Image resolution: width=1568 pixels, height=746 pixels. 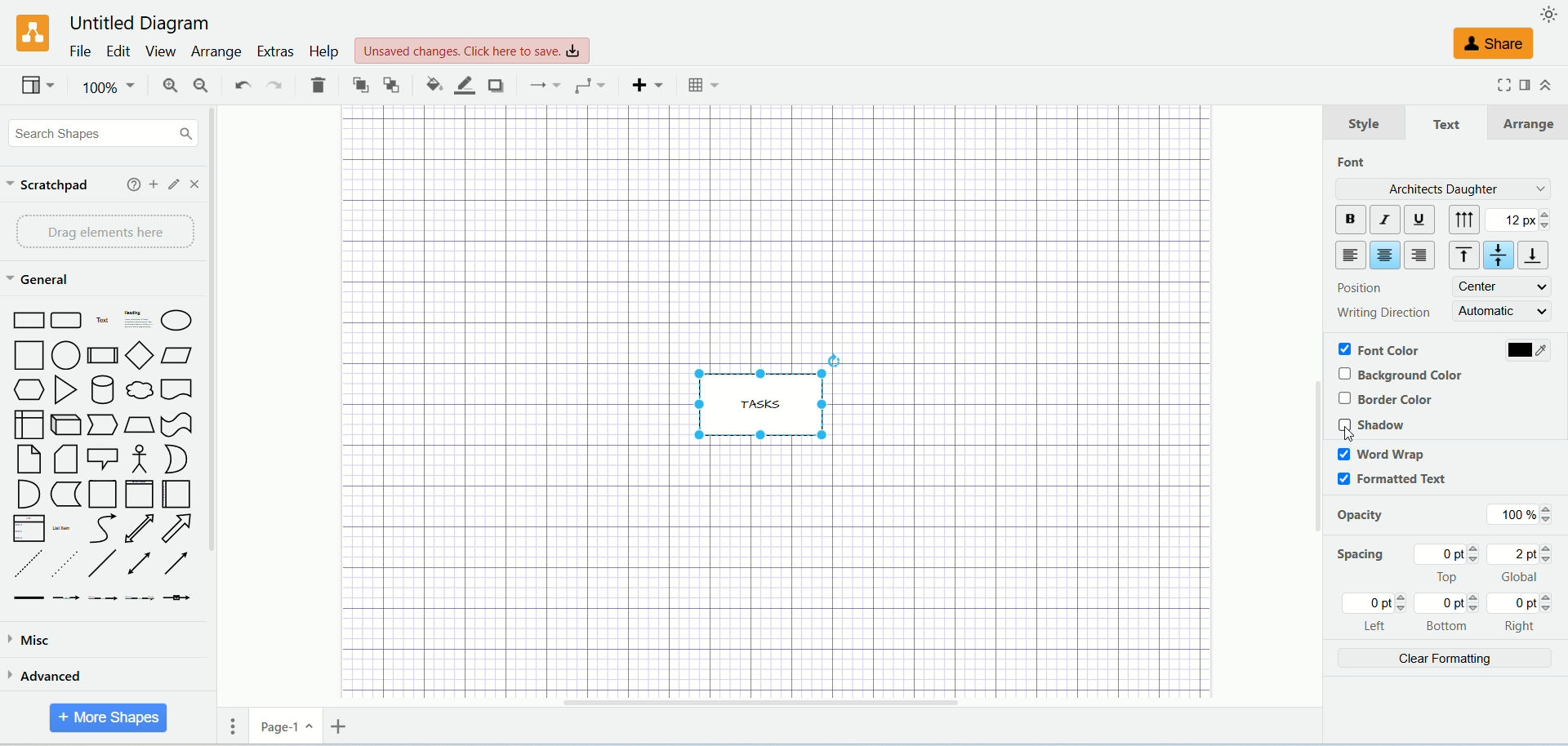 What do you see at coordinates (1521, 220) in the screenshot?
I see `2 pt` at bounding box center [1521, 220].